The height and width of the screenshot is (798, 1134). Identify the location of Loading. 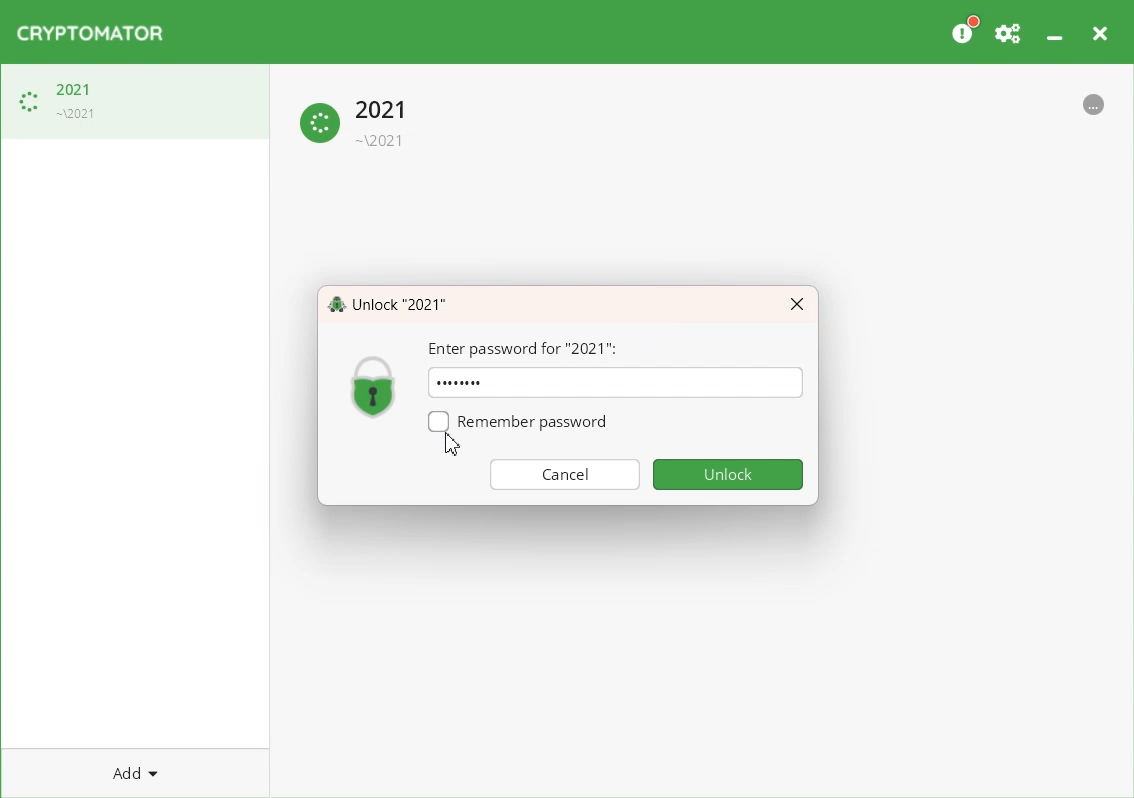
(357, 120).